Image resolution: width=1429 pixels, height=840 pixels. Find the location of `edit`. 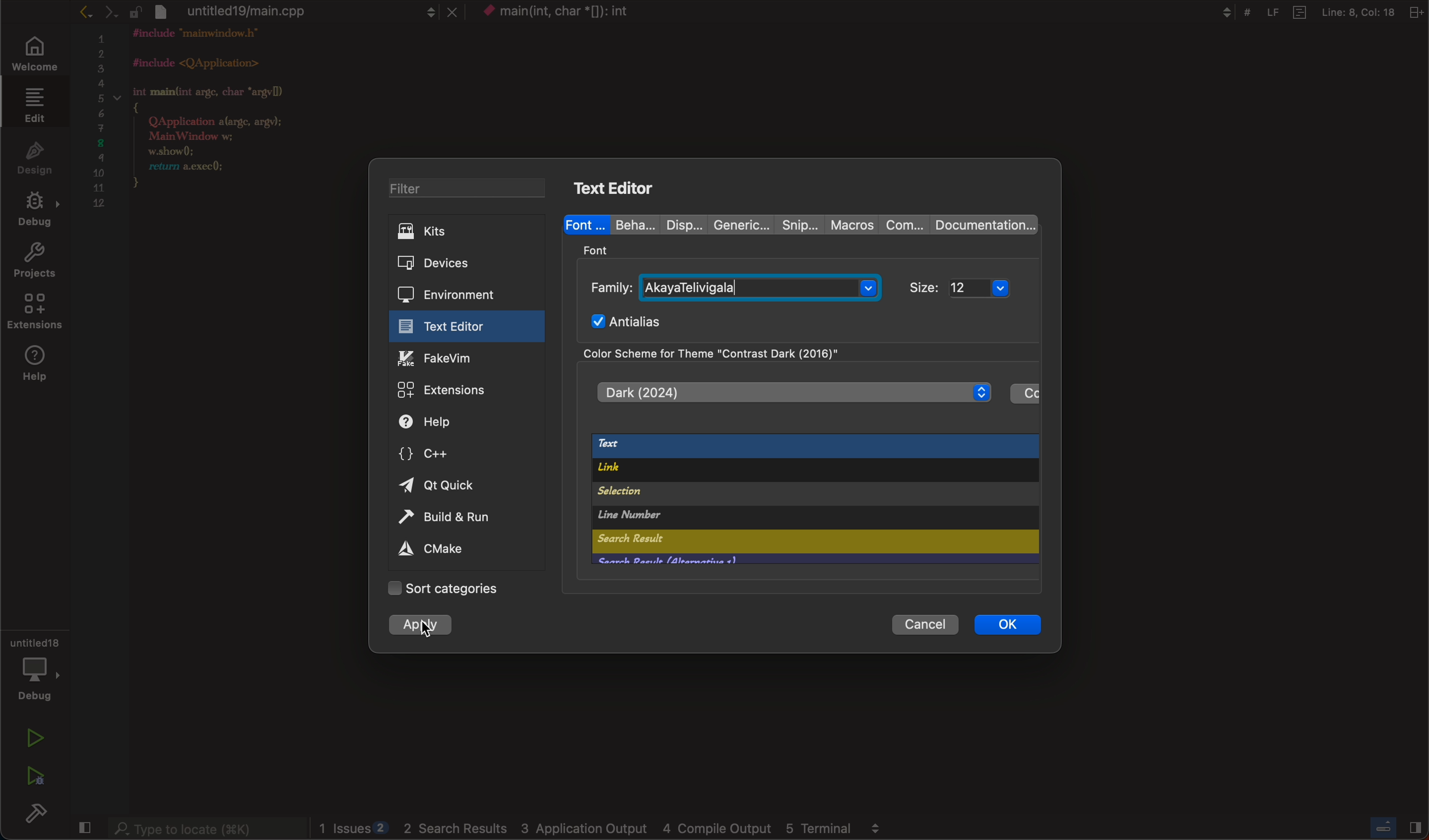

edit is located at coordinates (34, 107).